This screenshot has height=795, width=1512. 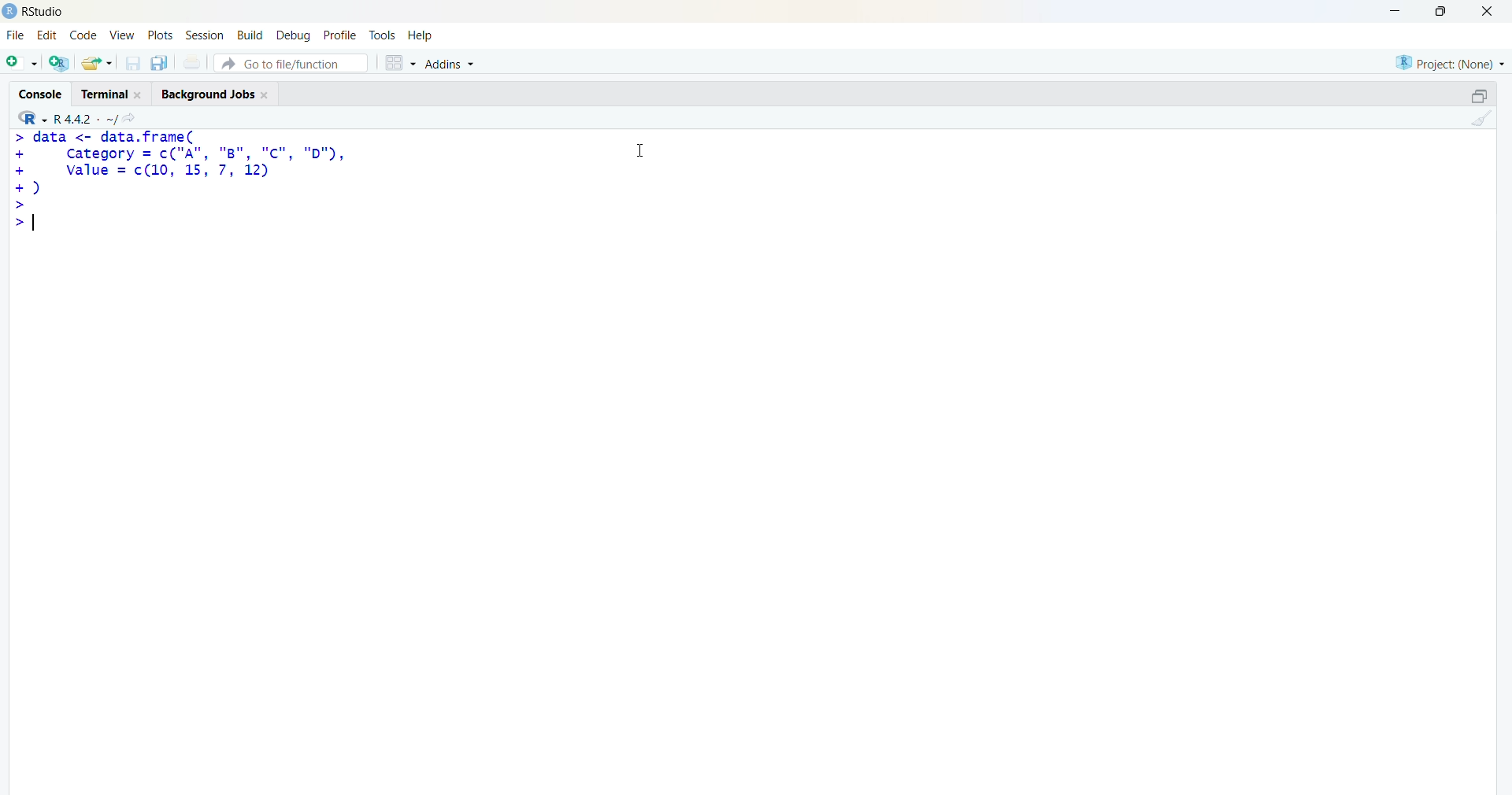 What do you see at coordinates (58, 62) in the screenshot?
I see `create a project` at bounding box center [58, 62].